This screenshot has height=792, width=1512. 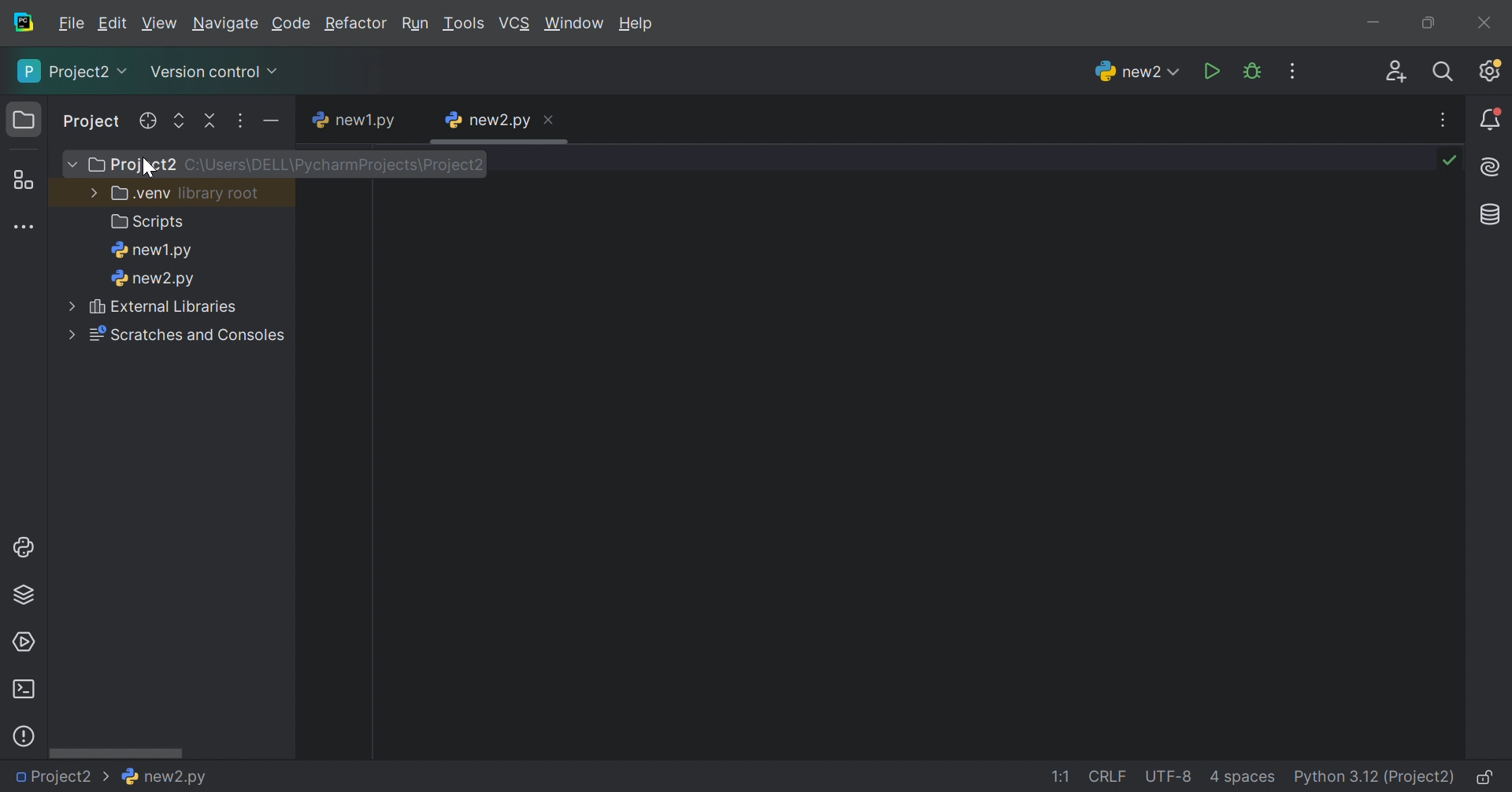 I want to click on VCS, so click(x=514, y=23).